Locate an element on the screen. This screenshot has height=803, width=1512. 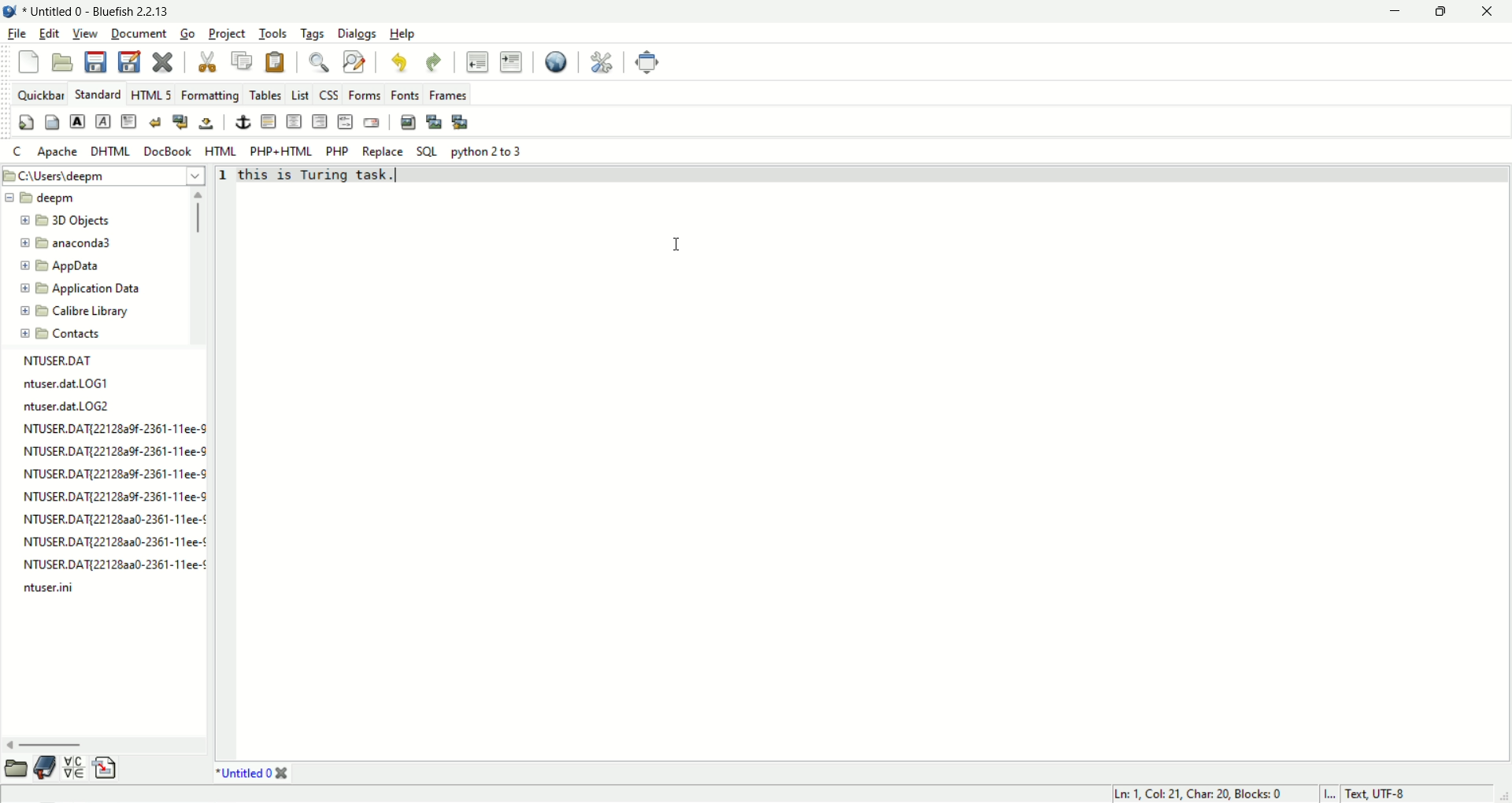
file path is located at coordinates (105, 174).